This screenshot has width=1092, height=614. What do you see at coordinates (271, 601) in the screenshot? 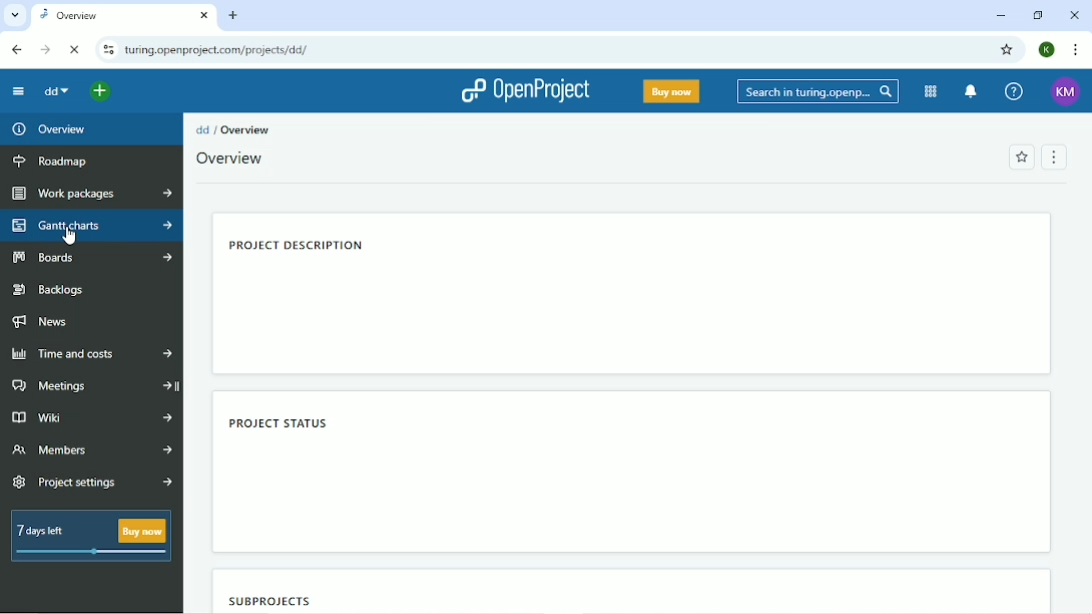
I see `Subprojects` at bounding box center [271, 601].